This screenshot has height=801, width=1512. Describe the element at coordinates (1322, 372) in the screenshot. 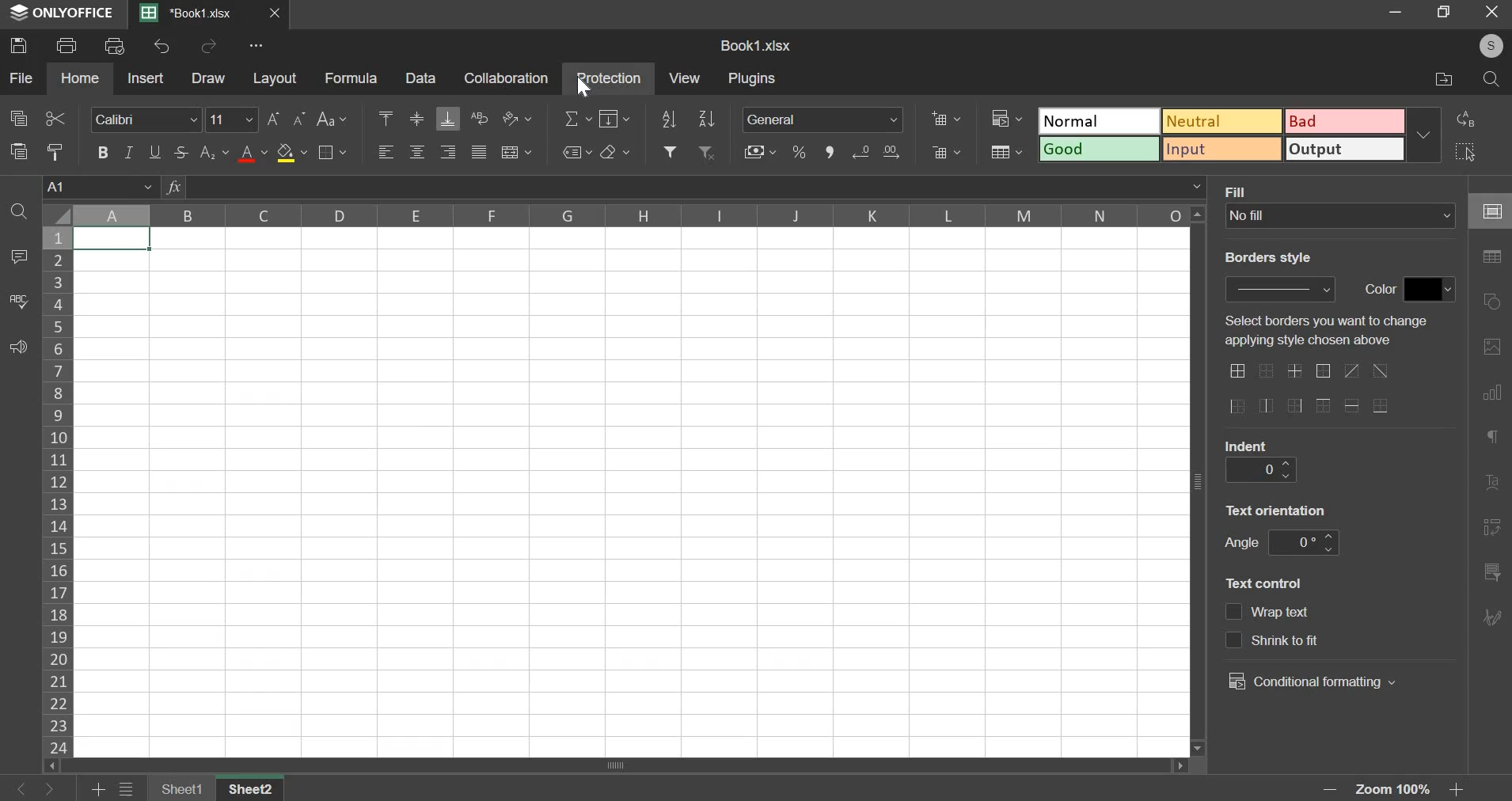

I see `border options` at that location.